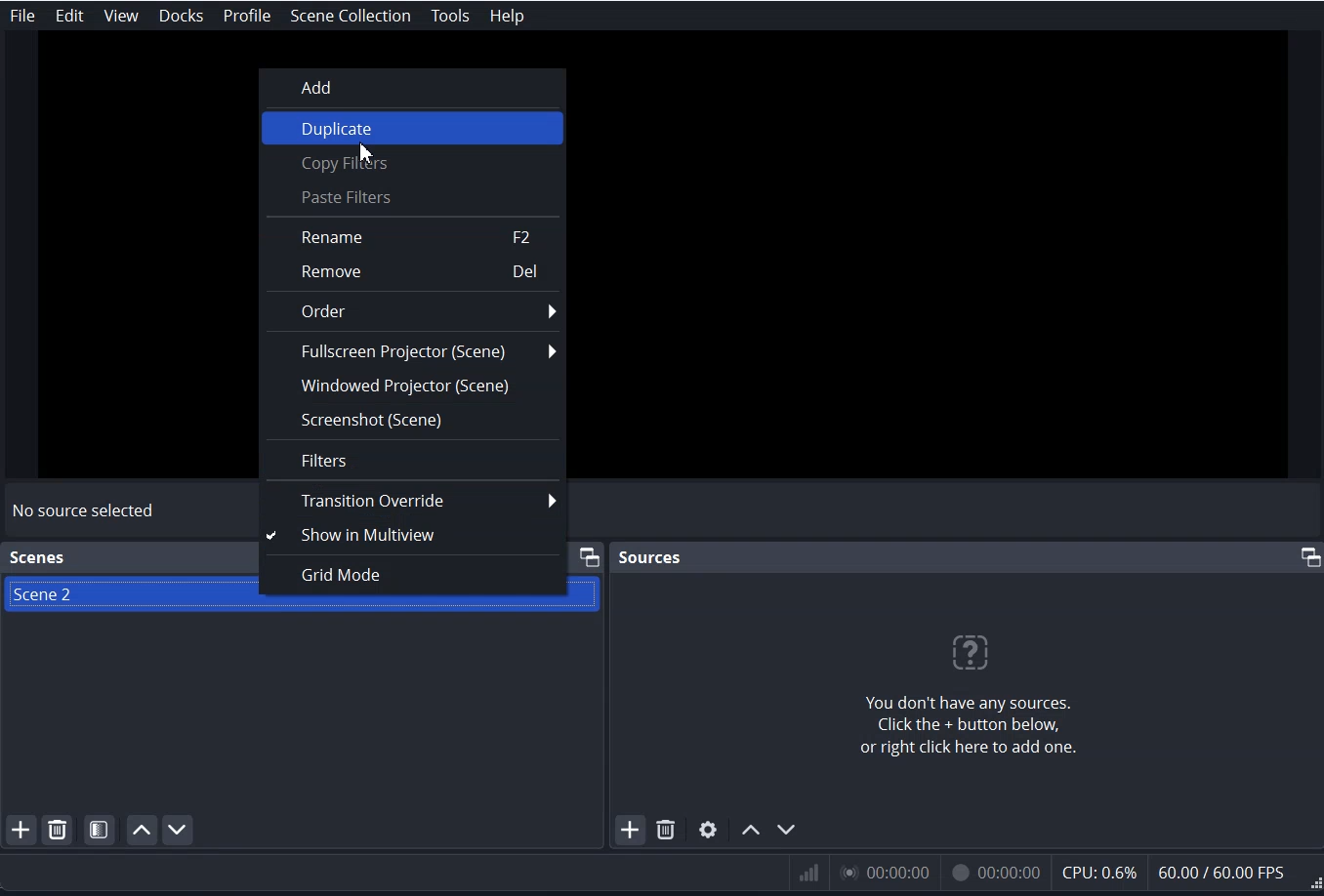  What do you see at coordinates (590, 555) in the screenshot?
I see `Maximize` at bounding box center [590, 555].